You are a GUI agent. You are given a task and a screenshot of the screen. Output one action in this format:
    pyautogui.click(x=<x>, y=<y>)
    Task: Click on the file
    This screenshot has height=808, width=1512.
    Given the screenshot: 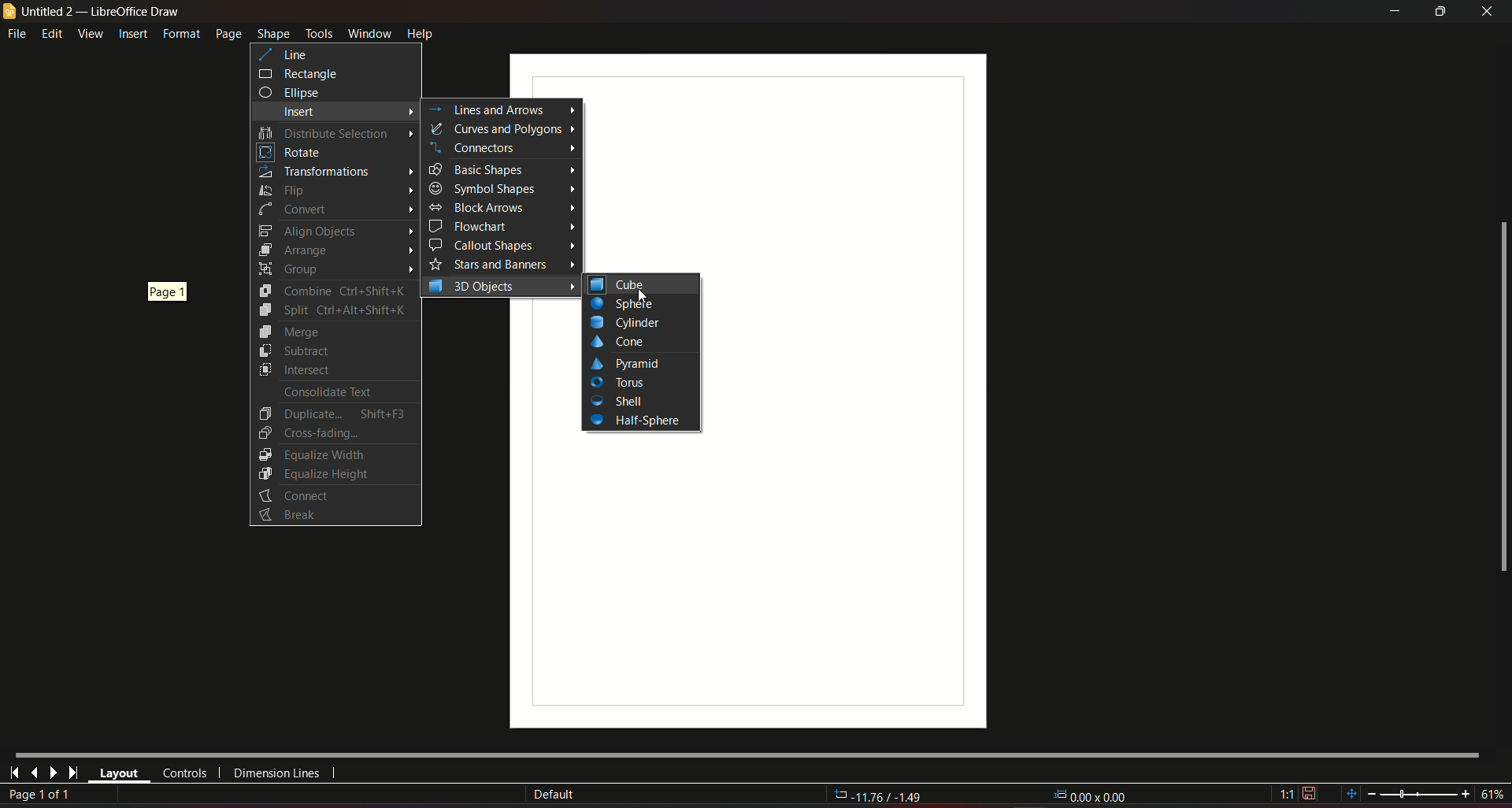 What is the action you would take?
    pyautogui.click(x=18, y=35)
    